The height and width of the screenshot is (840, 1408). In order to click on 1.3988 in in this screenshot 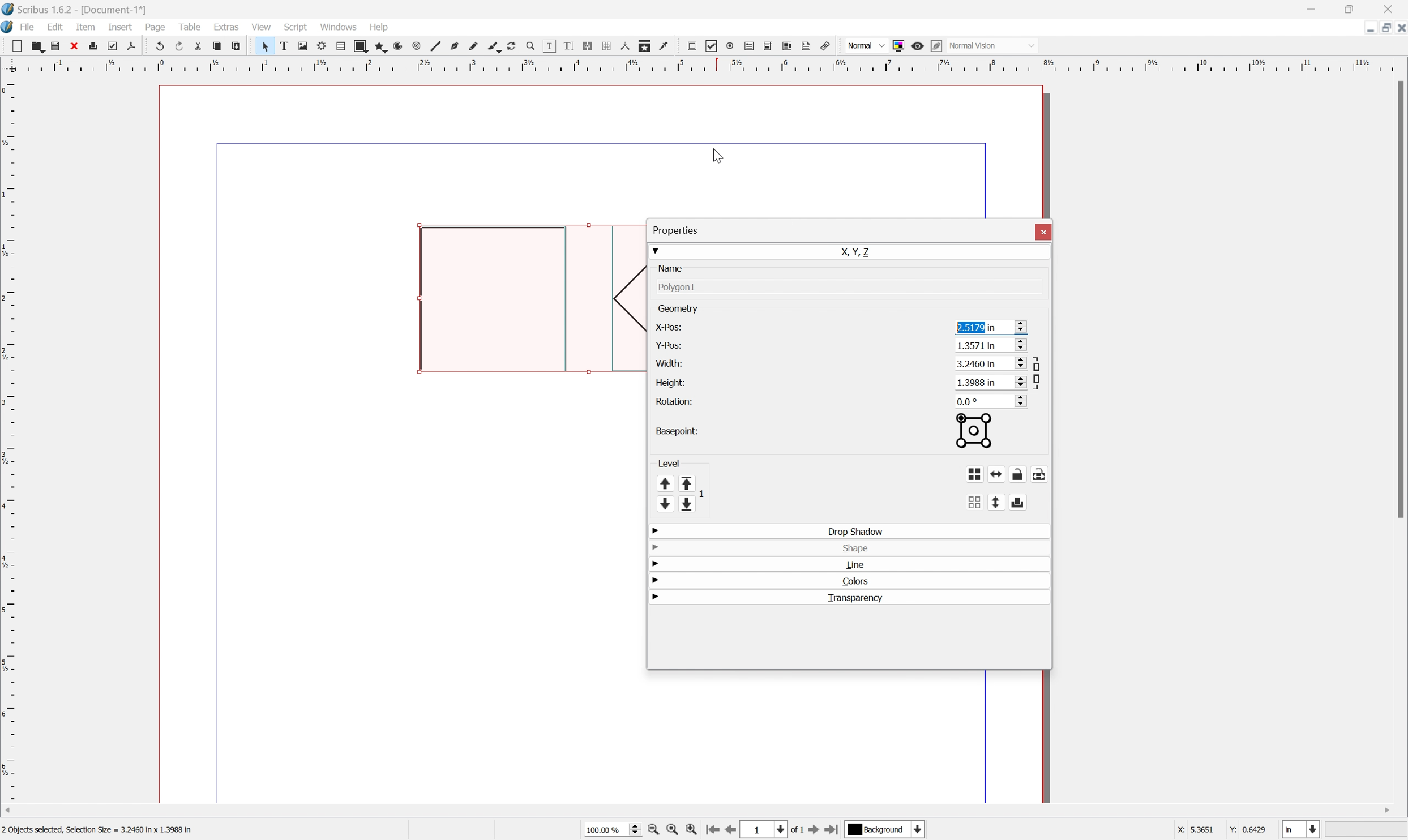, I will do `click(991, 383)`.